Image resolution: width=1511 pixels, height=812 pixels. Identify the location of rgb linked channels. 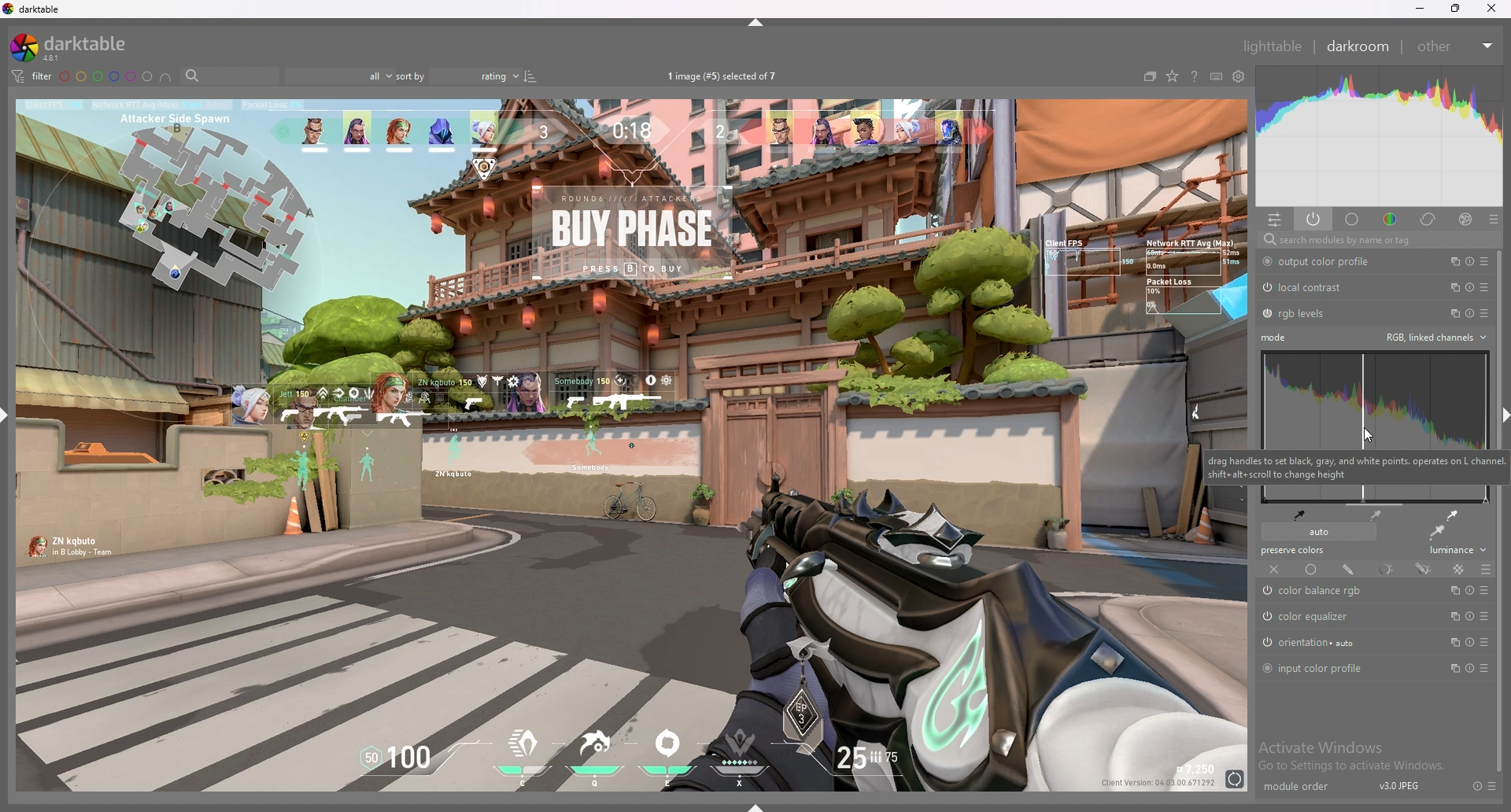
(1435, 337).